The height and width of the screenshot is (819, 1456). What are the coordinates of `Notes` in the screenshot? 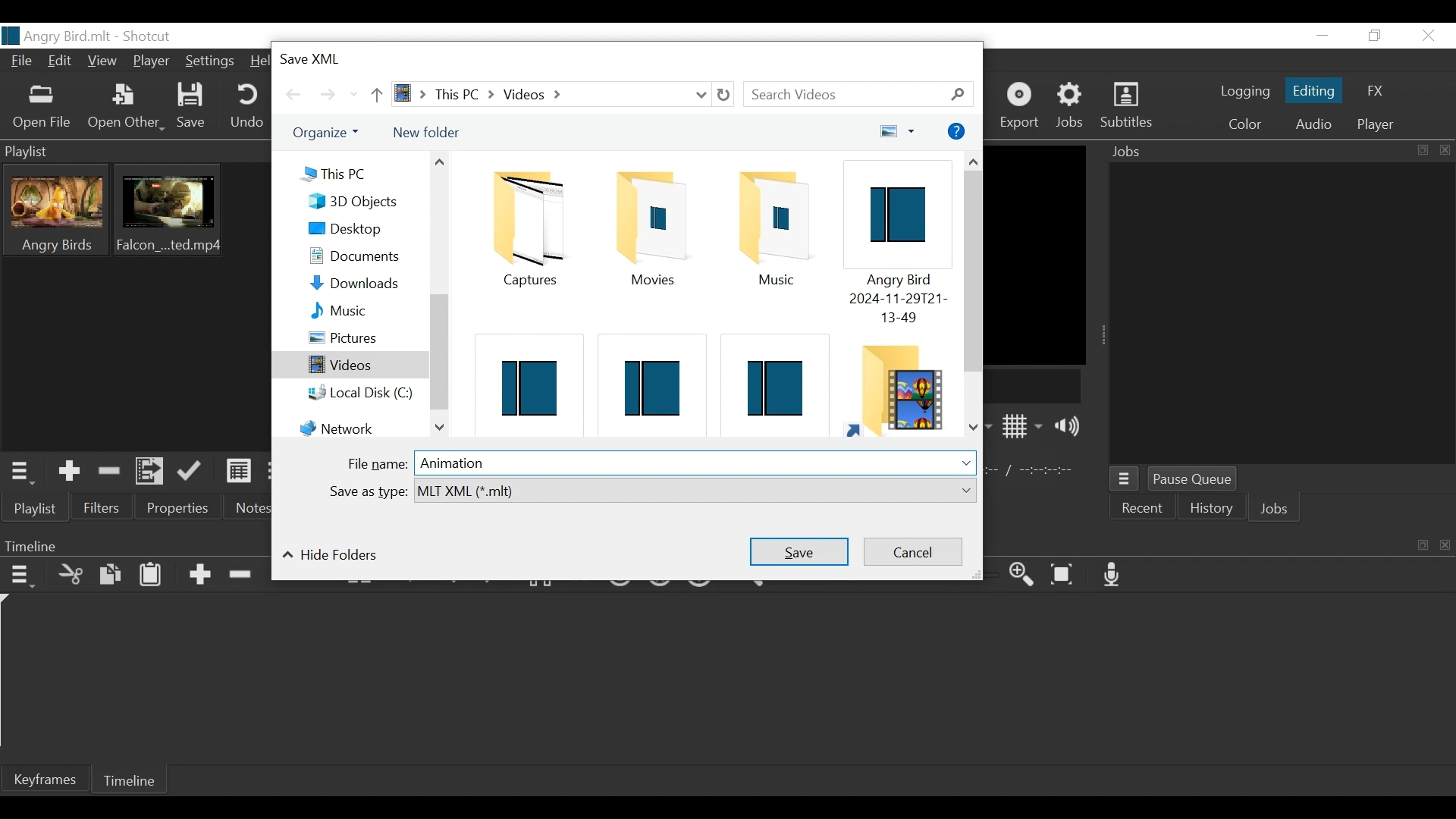 It's located at (246, 509).